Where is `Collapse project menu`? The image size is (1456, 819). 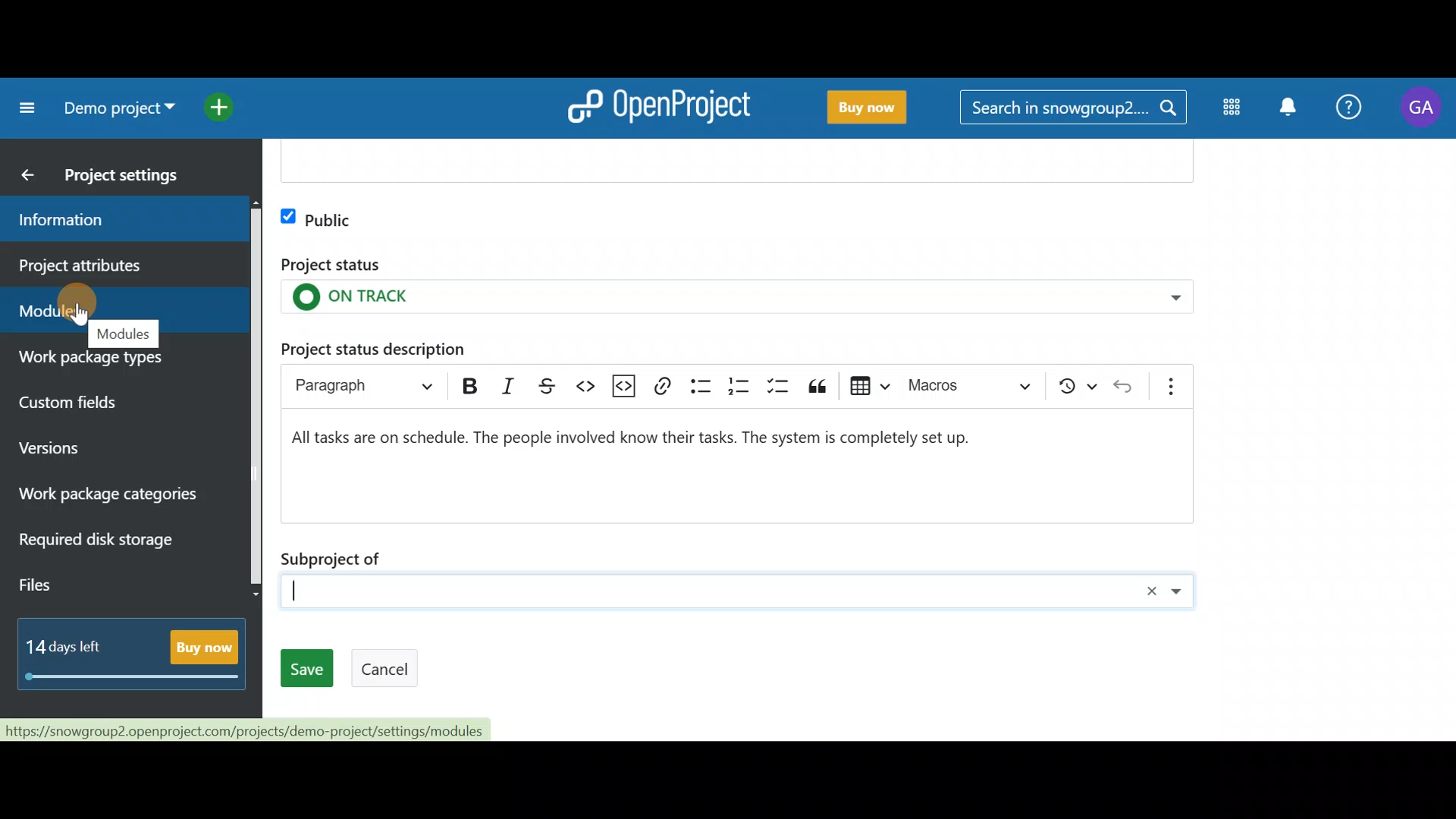
Collapse project menu is located at coordinates (24, 111).